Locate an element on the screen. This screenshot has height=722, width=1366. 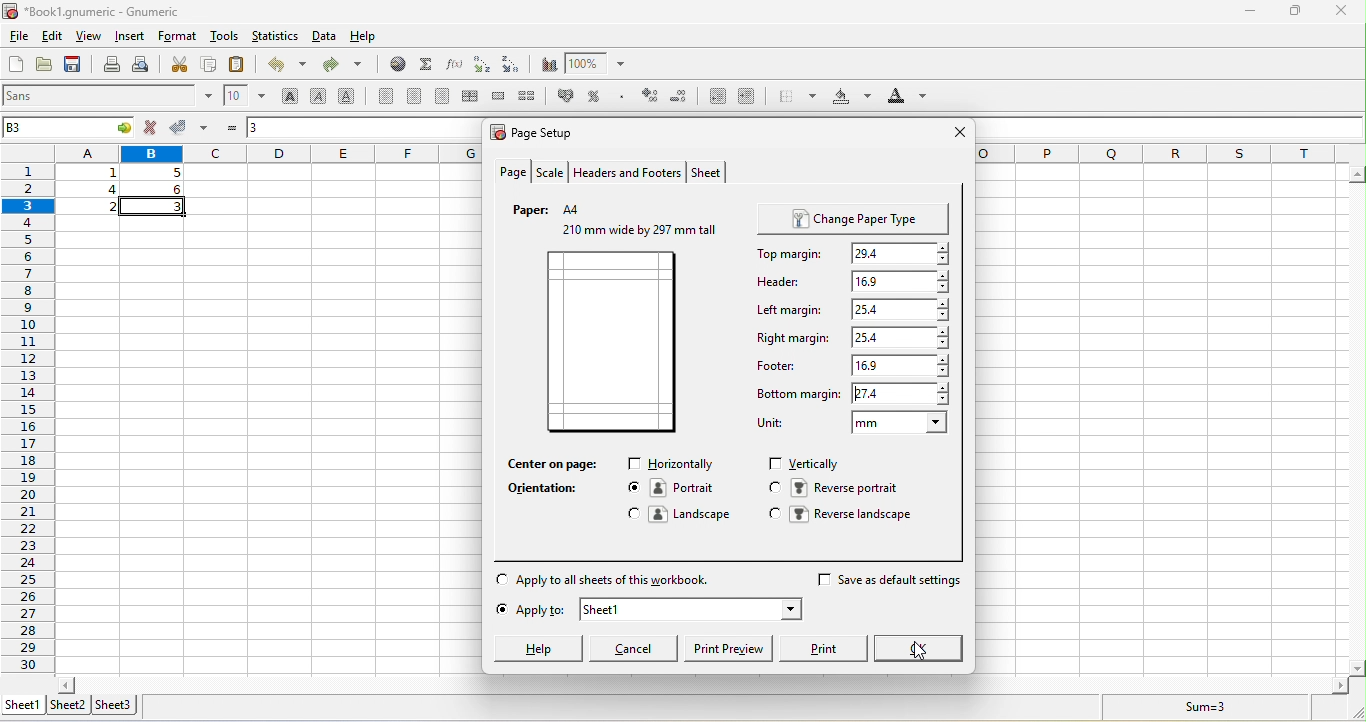
16.9 is located at coordinates (902, 281).